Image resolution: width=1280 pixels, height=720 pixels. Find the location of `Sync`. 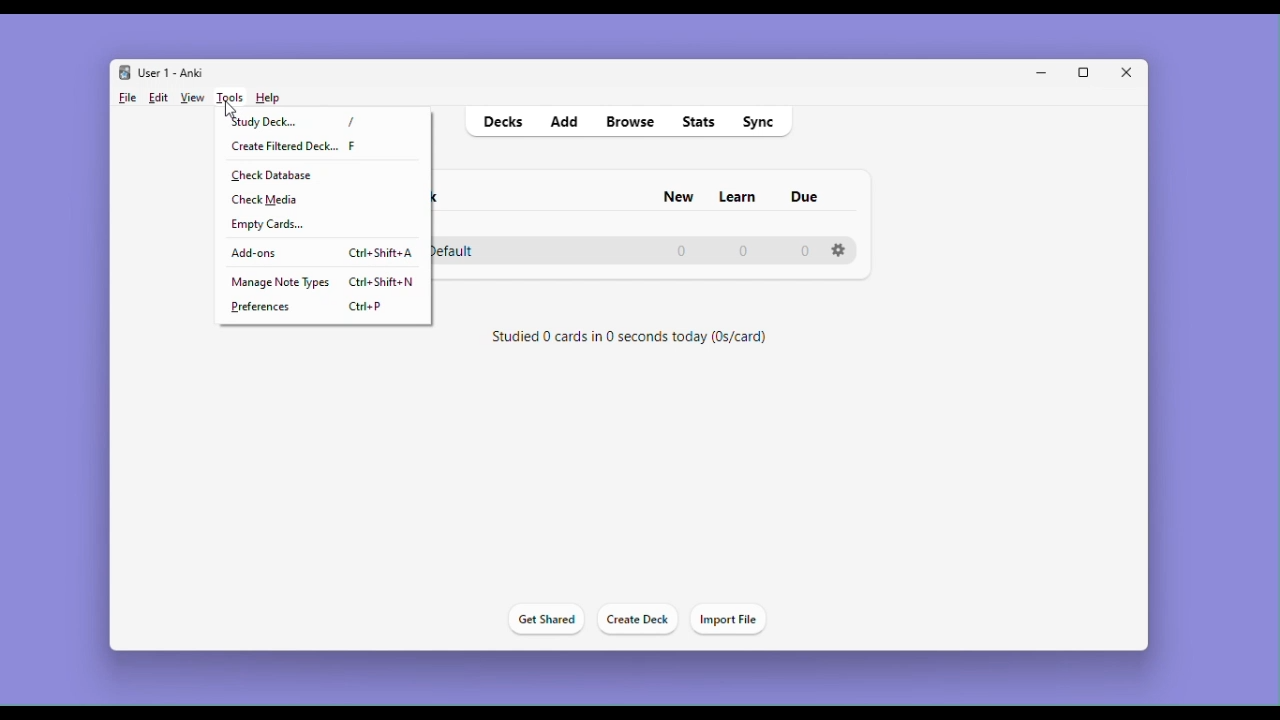

Sync is located at coordinates (769, 123).